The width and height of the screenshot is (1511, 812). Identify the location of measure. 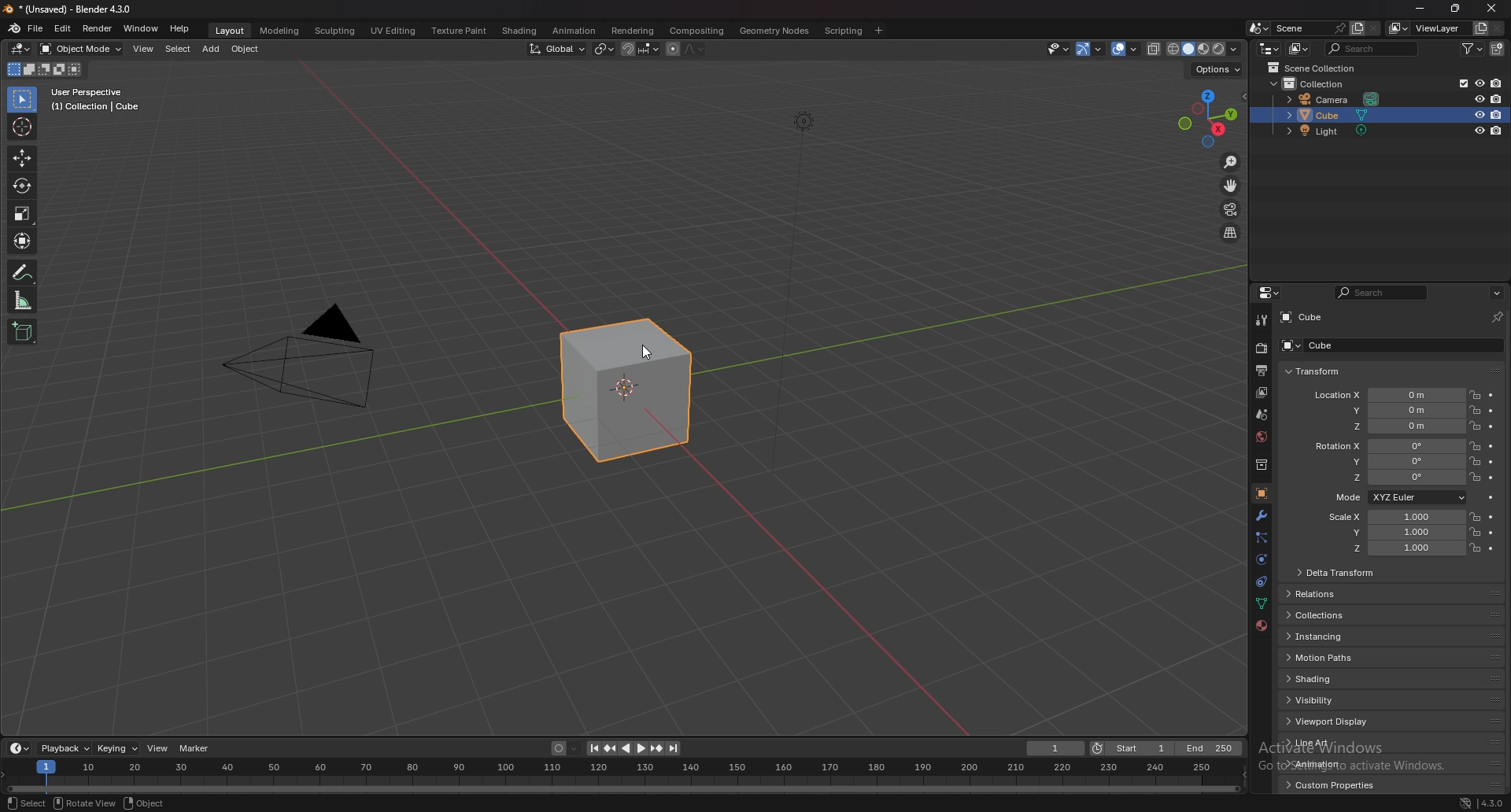
(24, 300).